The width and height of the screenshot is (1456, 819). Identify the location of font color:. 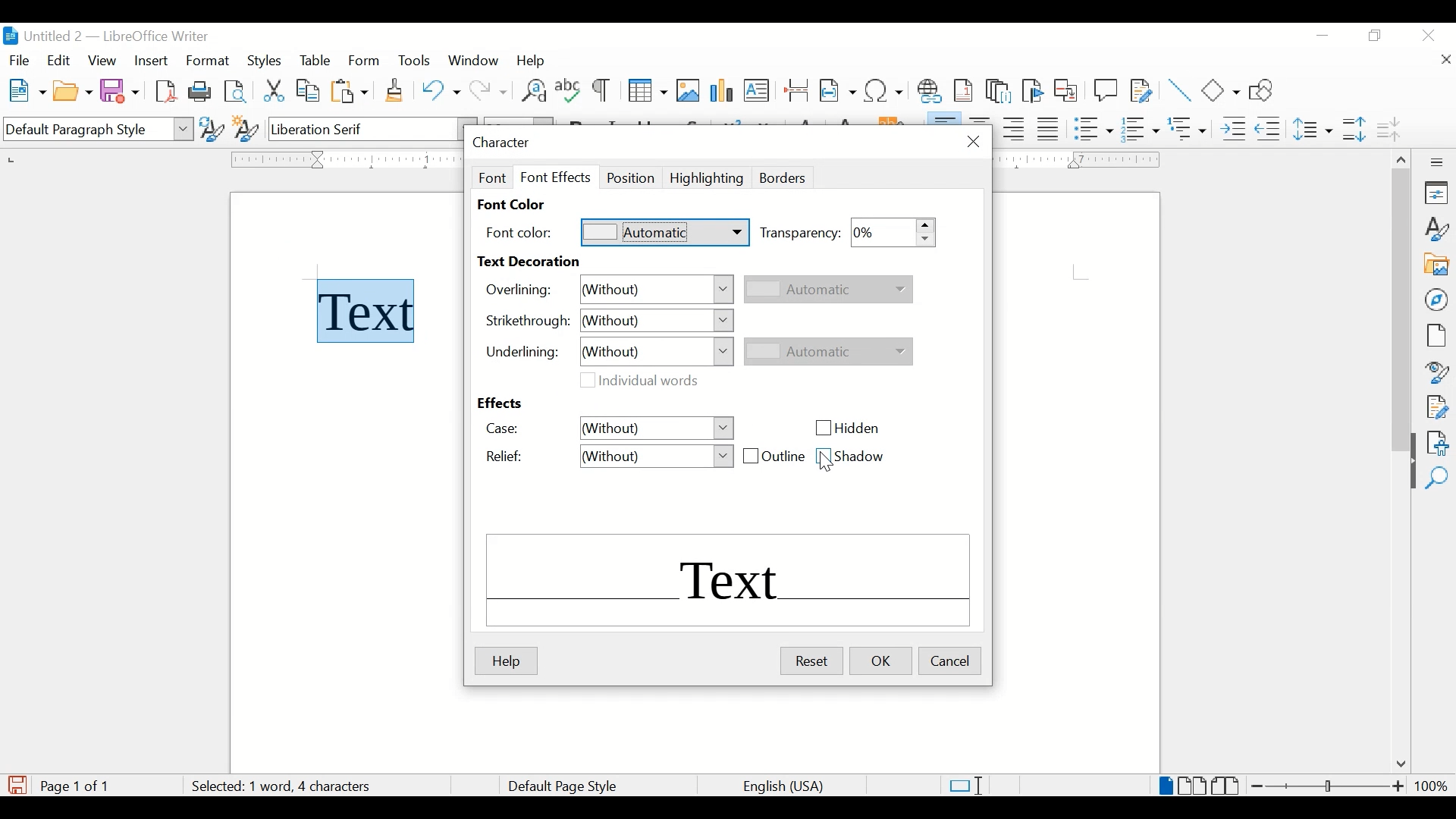
(519, 233).